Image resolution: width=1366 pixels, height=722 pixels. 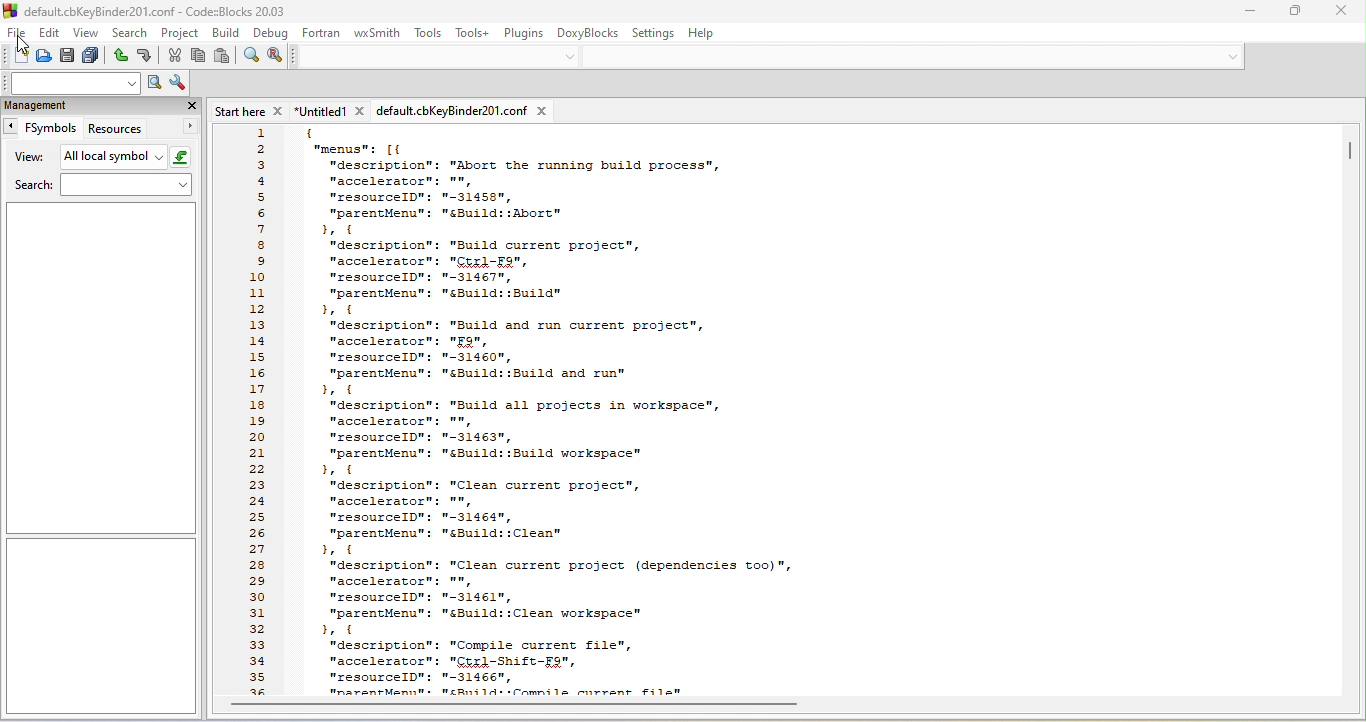 What do you see at coordinates (67, 56) in the screenshot?
I see `save` at bounding box center [67, 56].